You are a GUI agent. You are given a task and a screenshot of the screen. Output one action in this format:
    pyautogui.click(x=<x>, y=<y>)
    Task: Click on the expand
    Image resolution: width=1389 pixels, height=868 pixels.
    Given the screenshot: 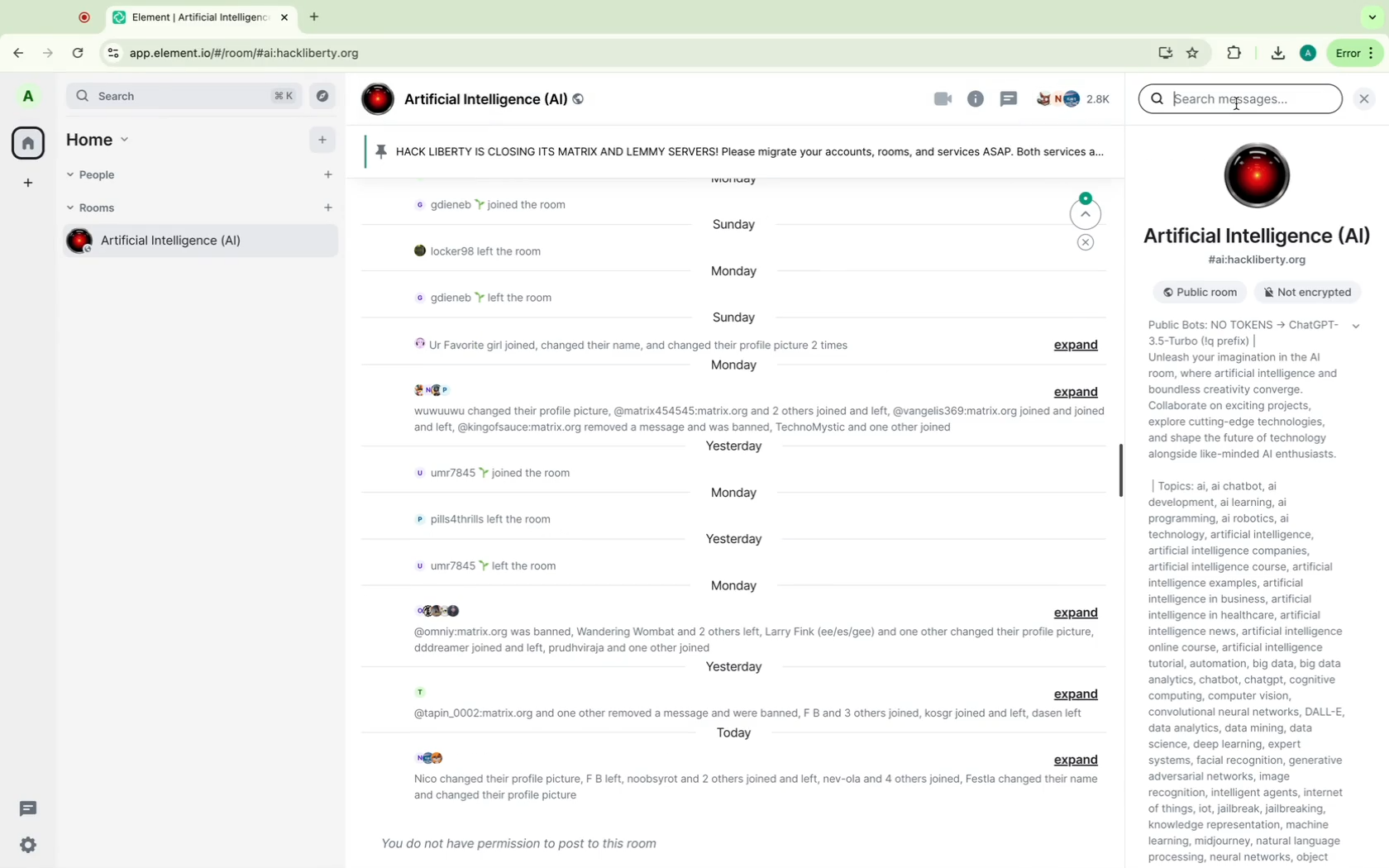 What is the action you would take?
    pyautogui.click(x=1076, y=694)
    